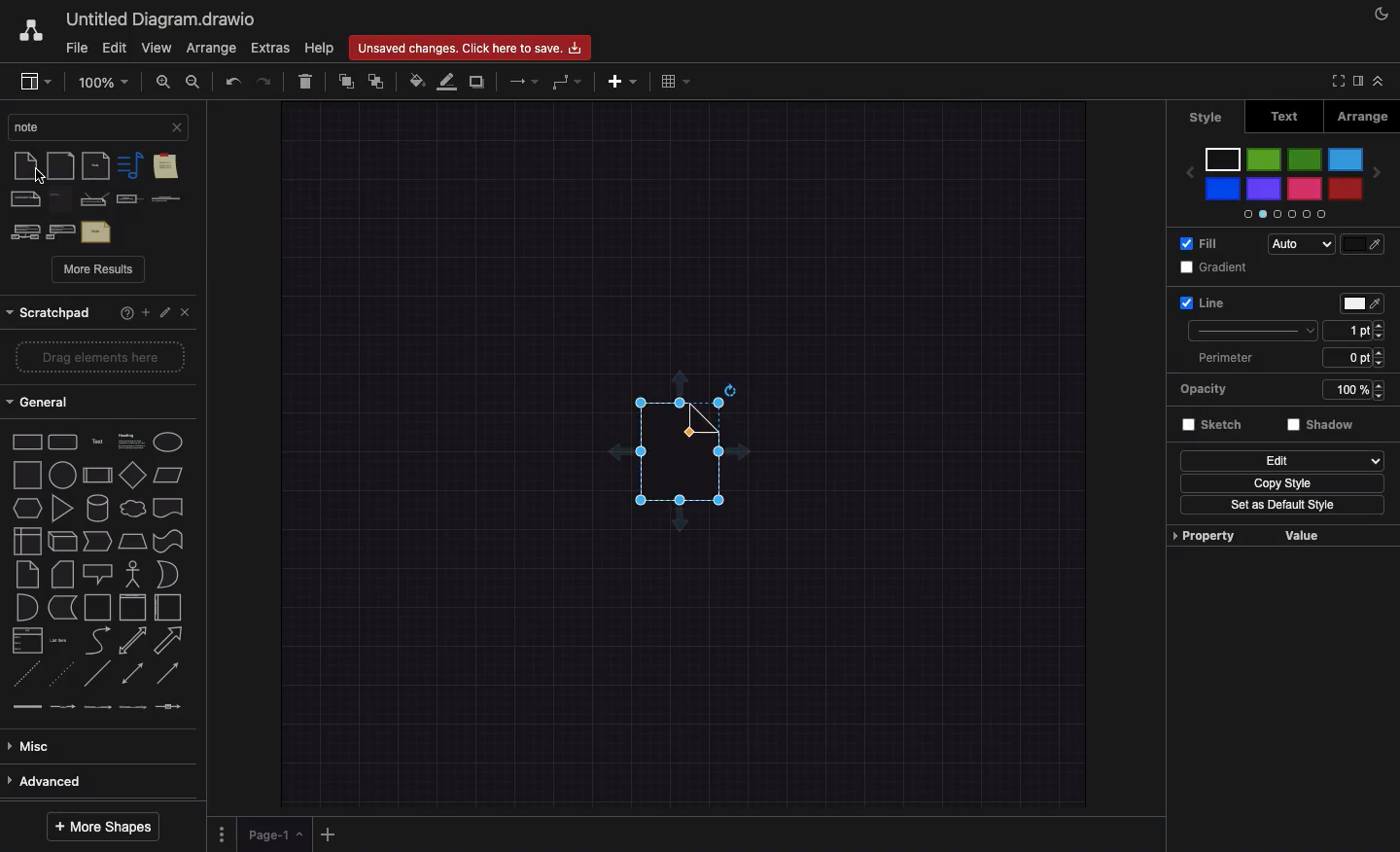  What do you see at coordinates (1358, 303) in the screenshot?
I see `line color` at bounding box center [1358, 303].